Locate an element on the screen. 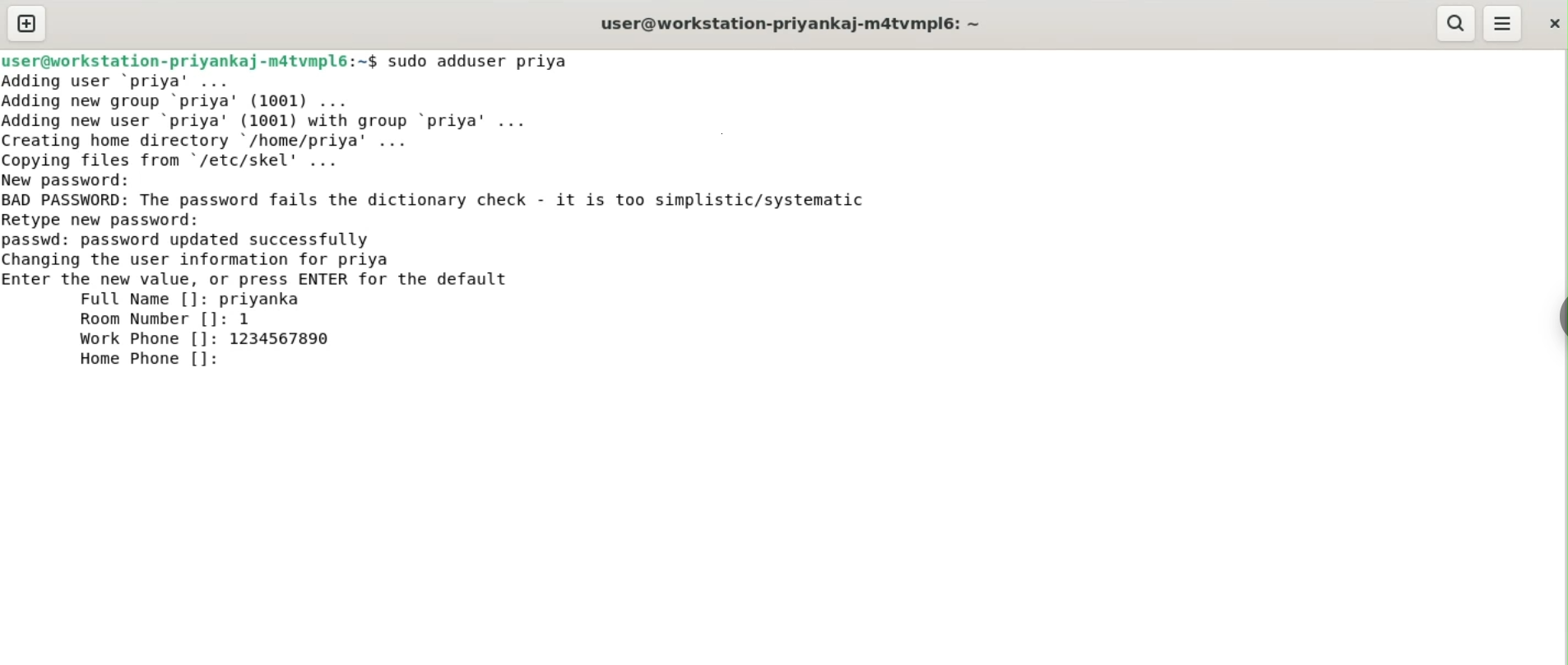 This screenshot has width=1568, height=665. 1 is located at coordinates (251, 319).